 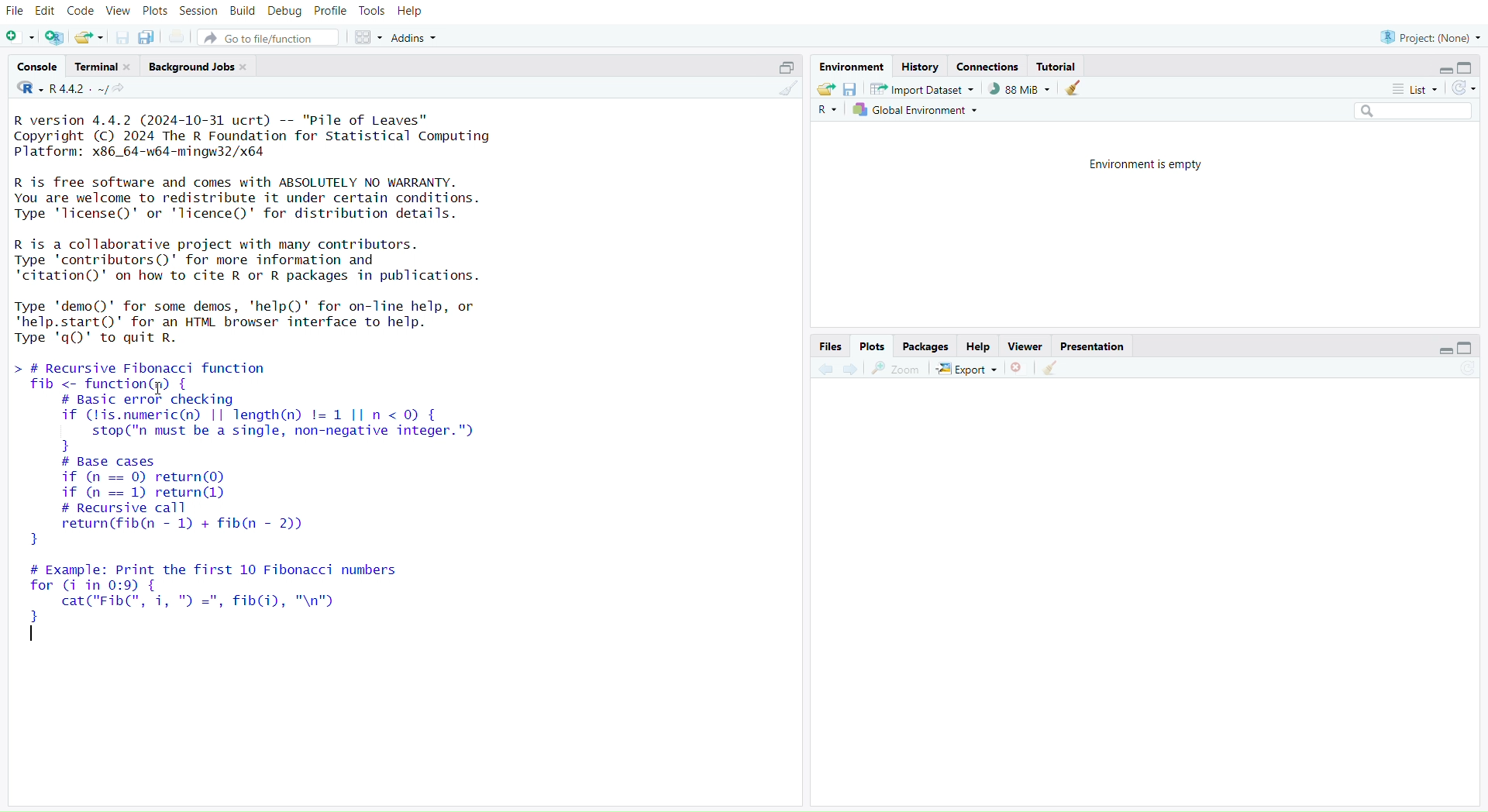 I want to click on print the current file, so click(x=178, y=38).